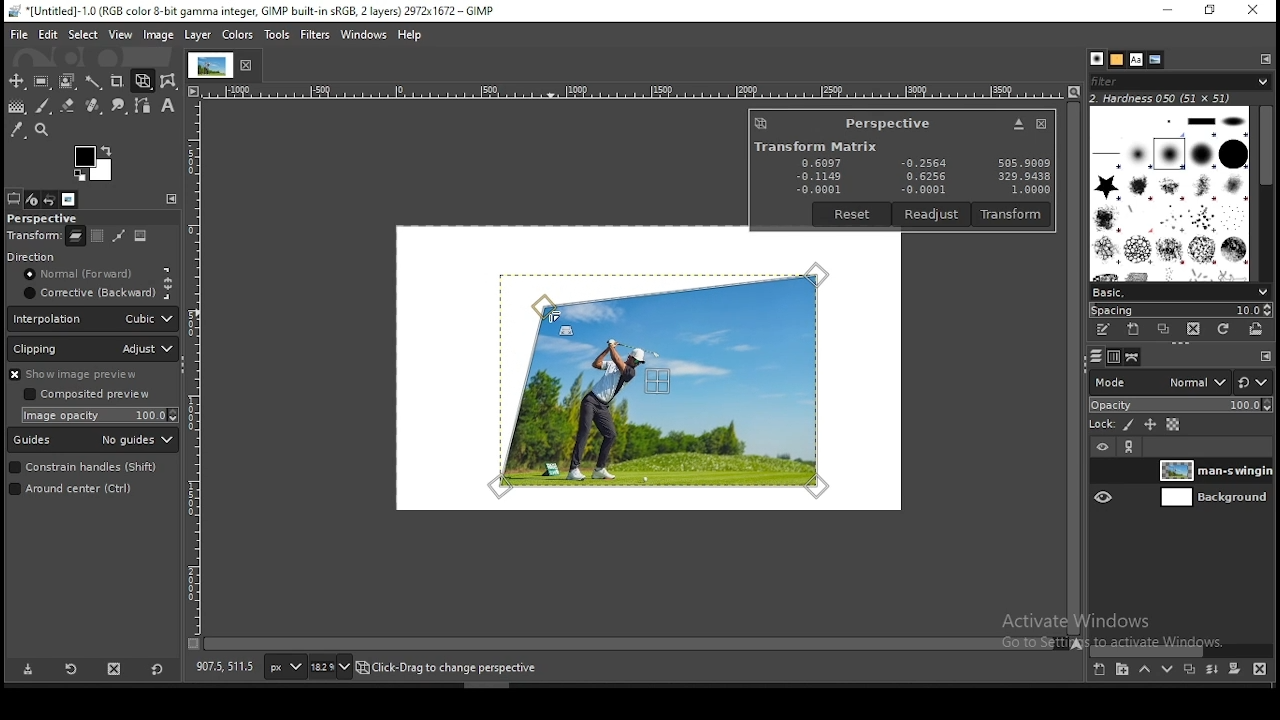  What do you see at coordinates (93, 319) in the screenshot?
I see `interpolation` at bounding box center [93, 319].